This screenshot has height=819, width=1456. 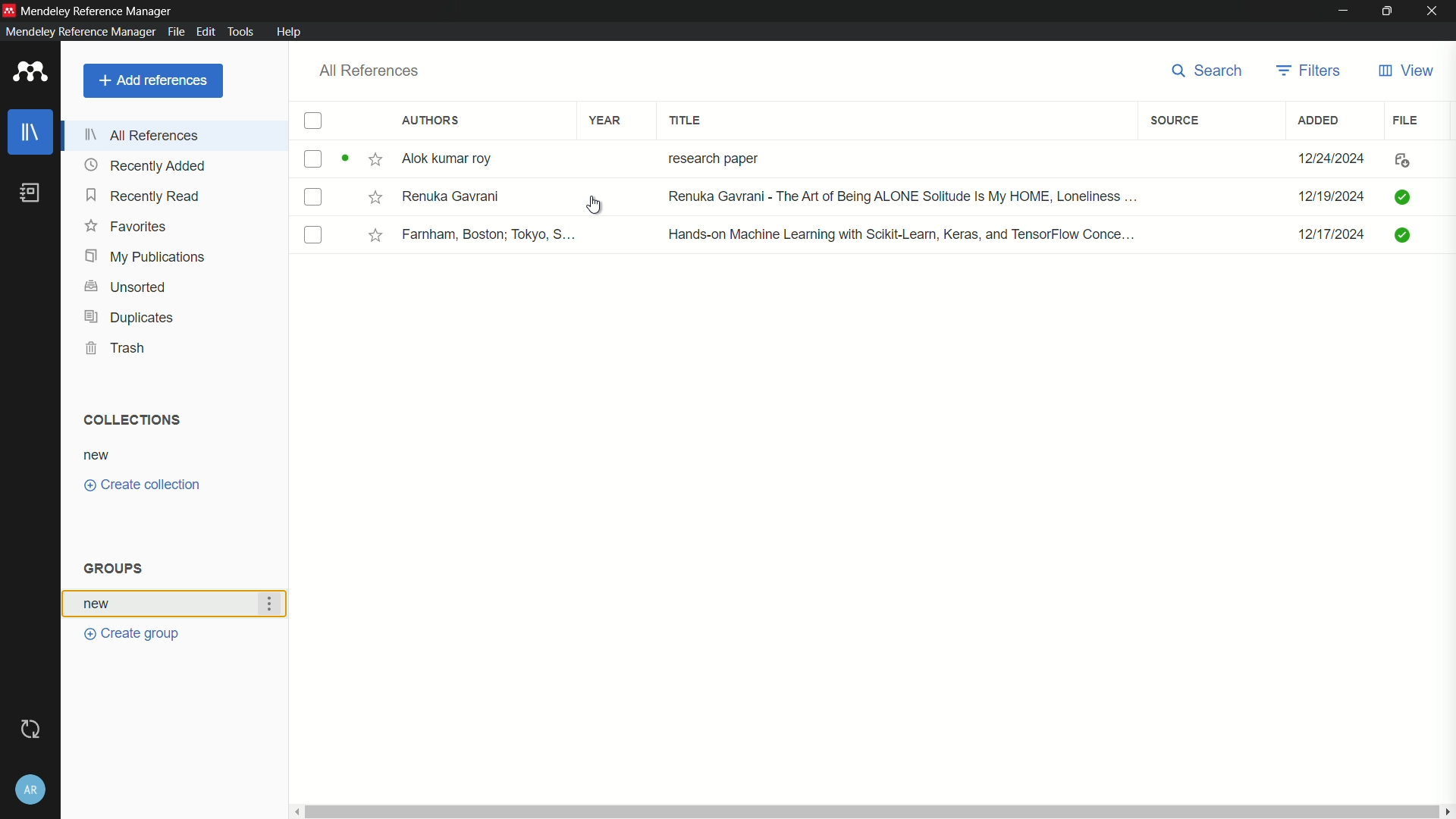 What do you see at coordinates (99, 603) in the screenshot?
I see `group created` at bounding box center [99, 603].